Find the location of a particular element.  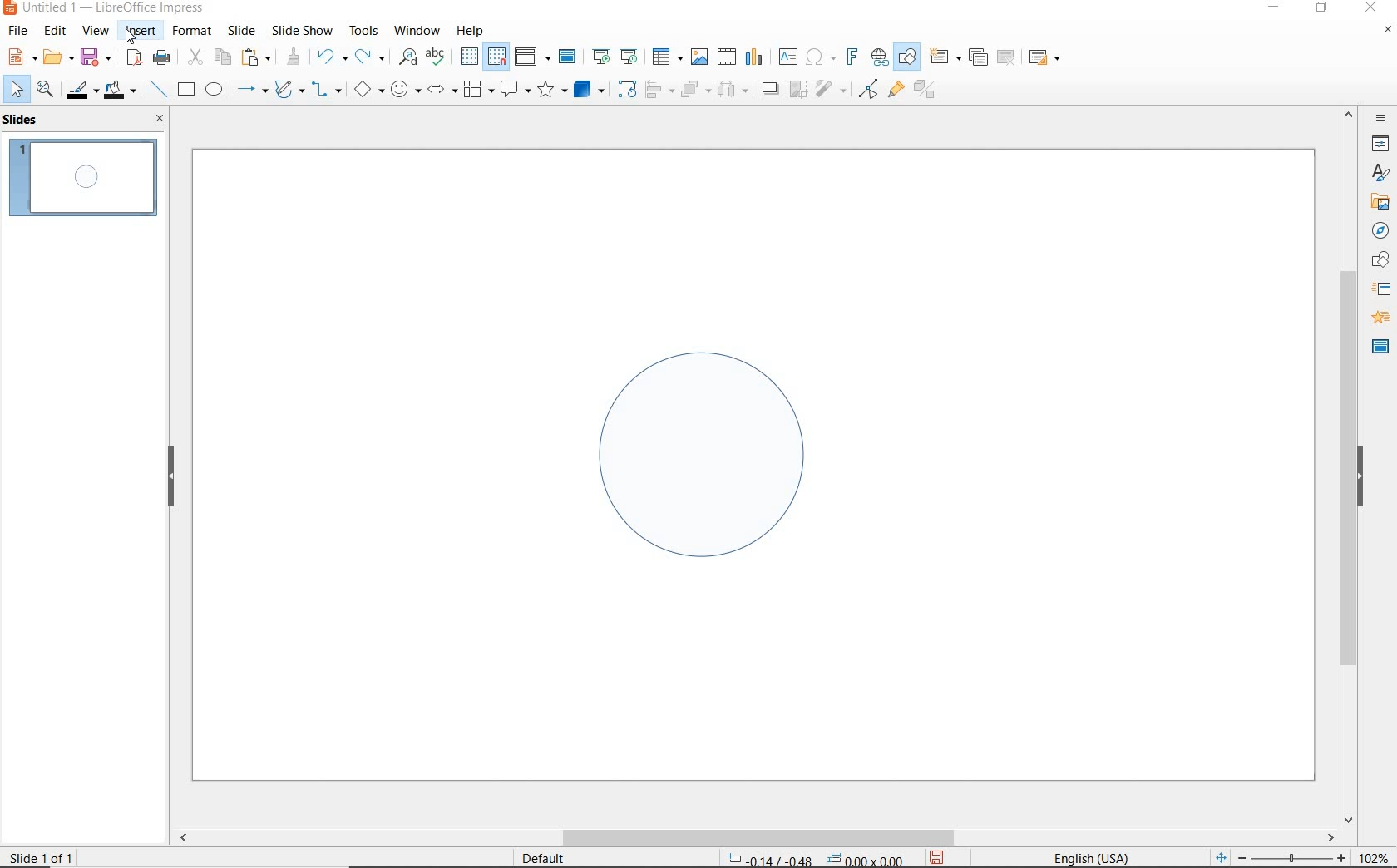

connectors is located at coordinates (327, 91).